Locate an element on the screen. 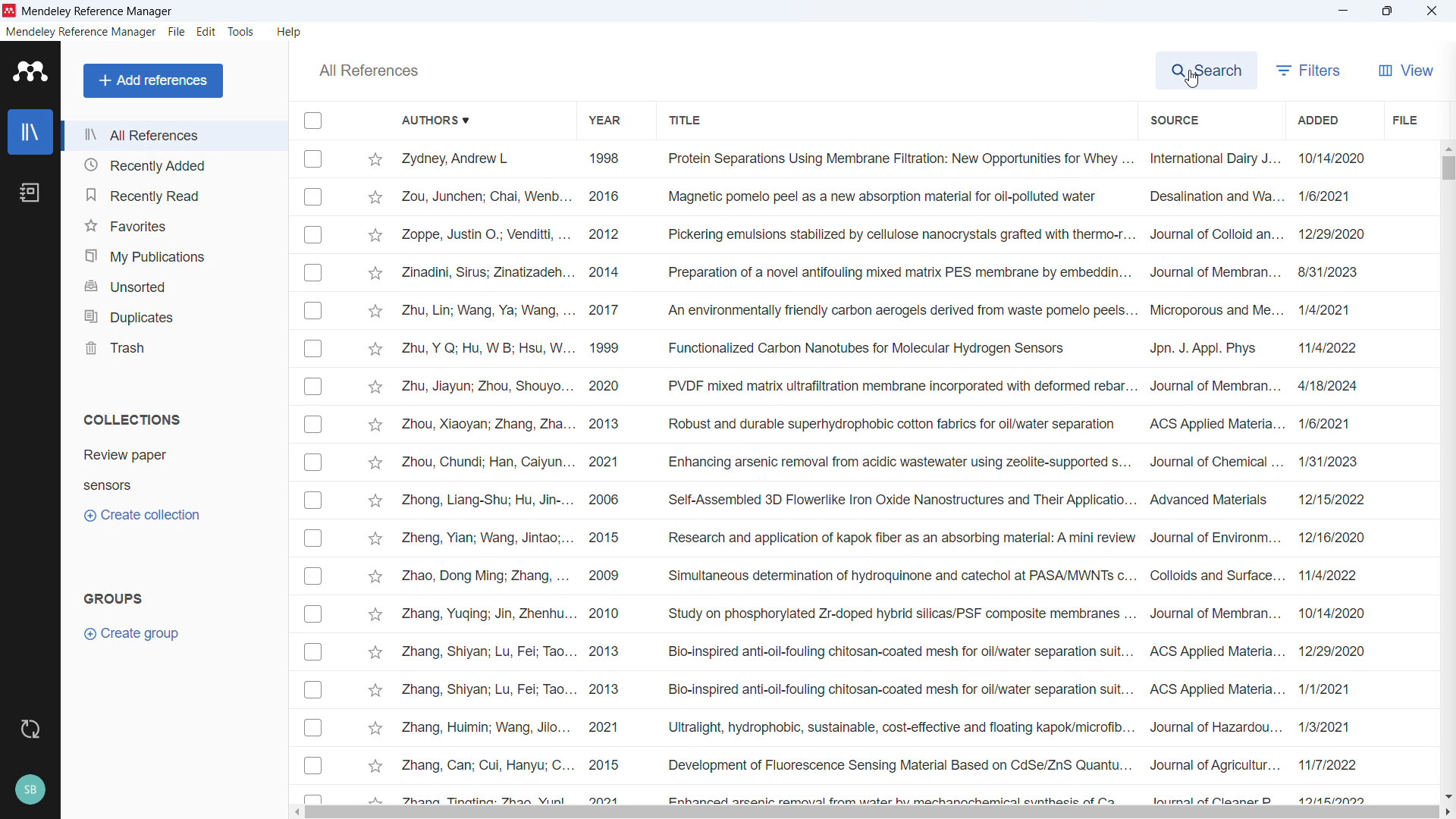 The height and width of the screenshot is (819, 1456). Search  is located at coordinates (1203, 70).